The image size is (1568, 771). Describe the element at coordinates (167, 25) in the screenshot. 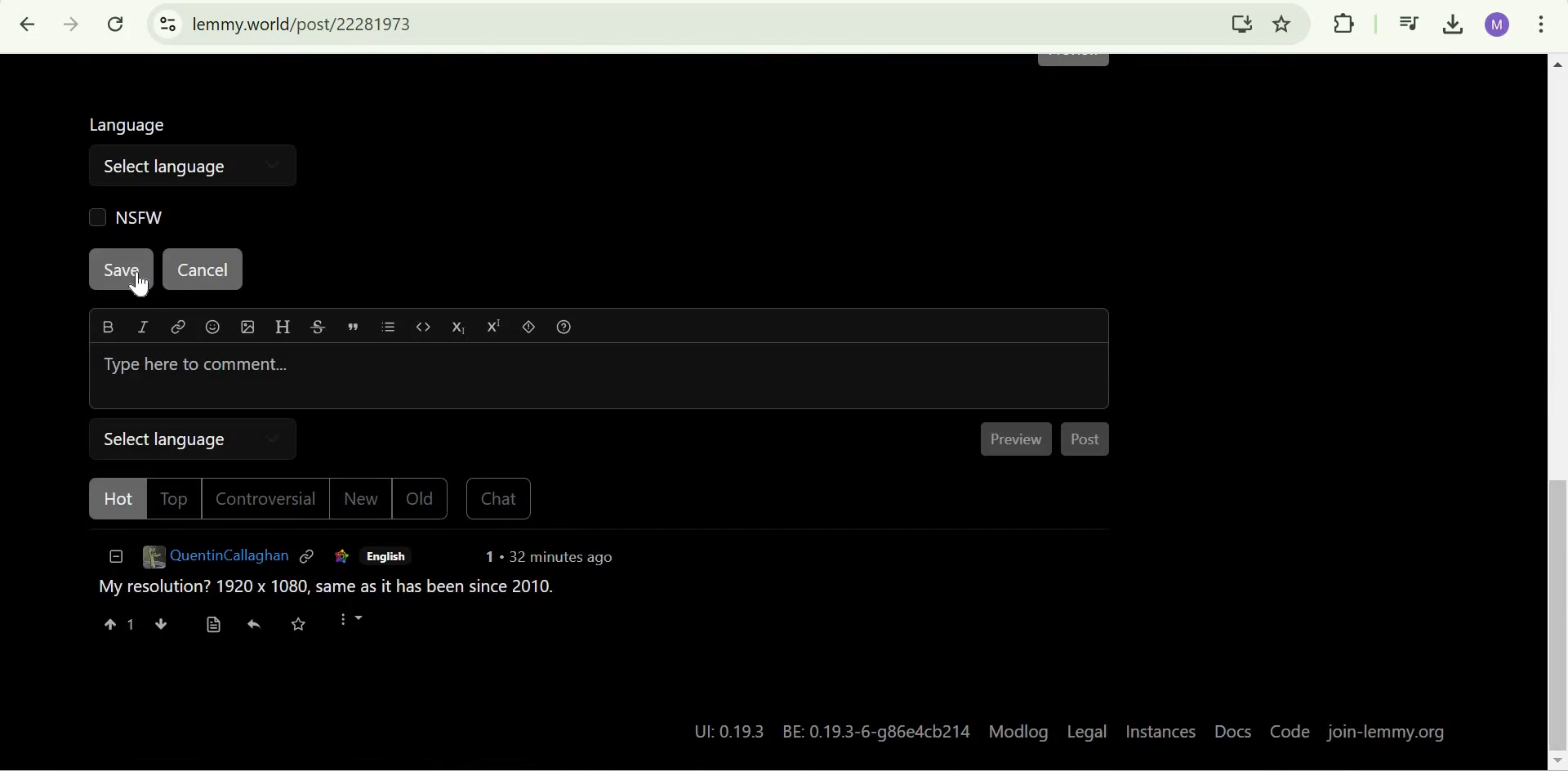

I see `View site information` at that location.